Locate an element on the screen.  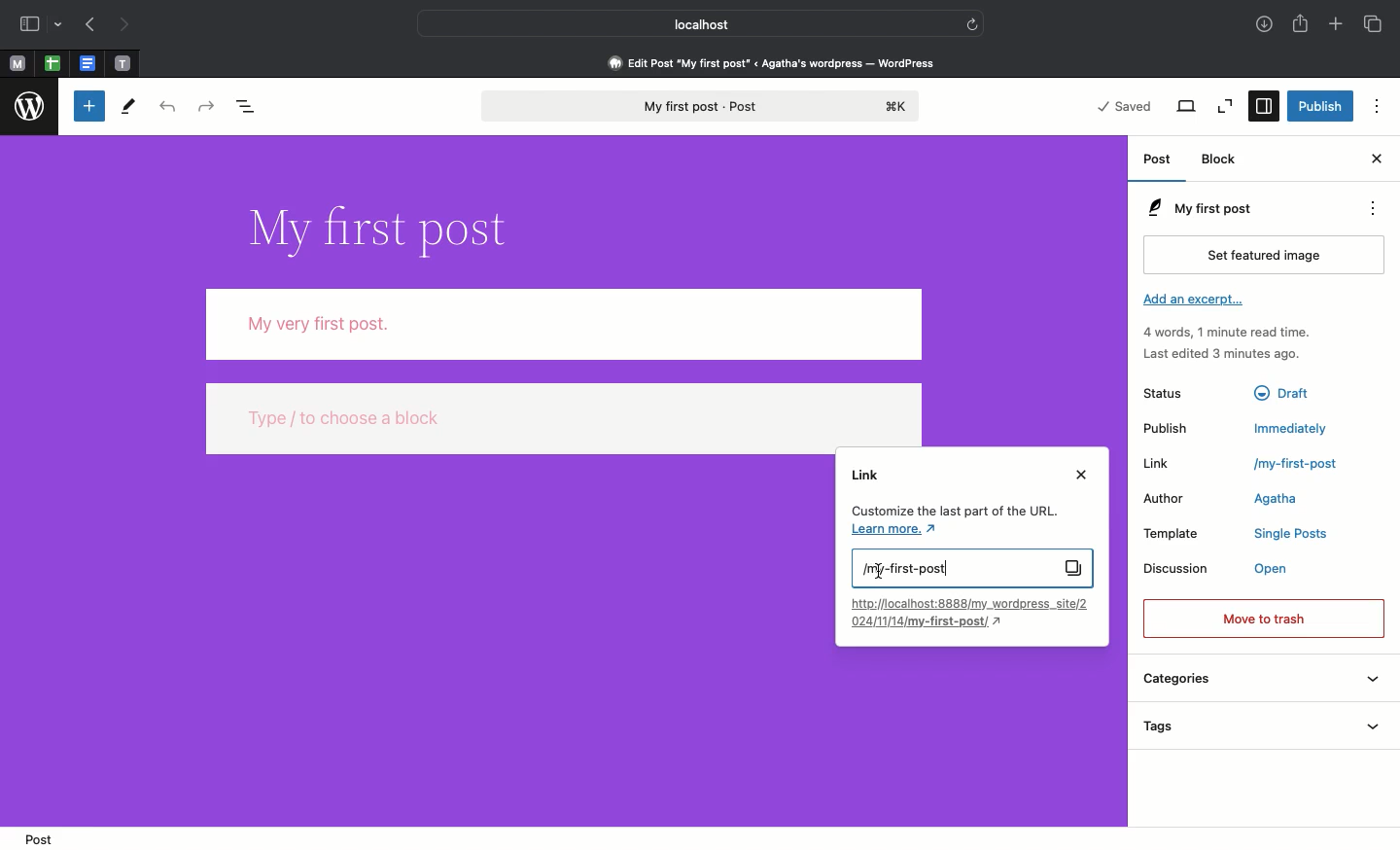
My first post is located at coordinates (1227, 206).